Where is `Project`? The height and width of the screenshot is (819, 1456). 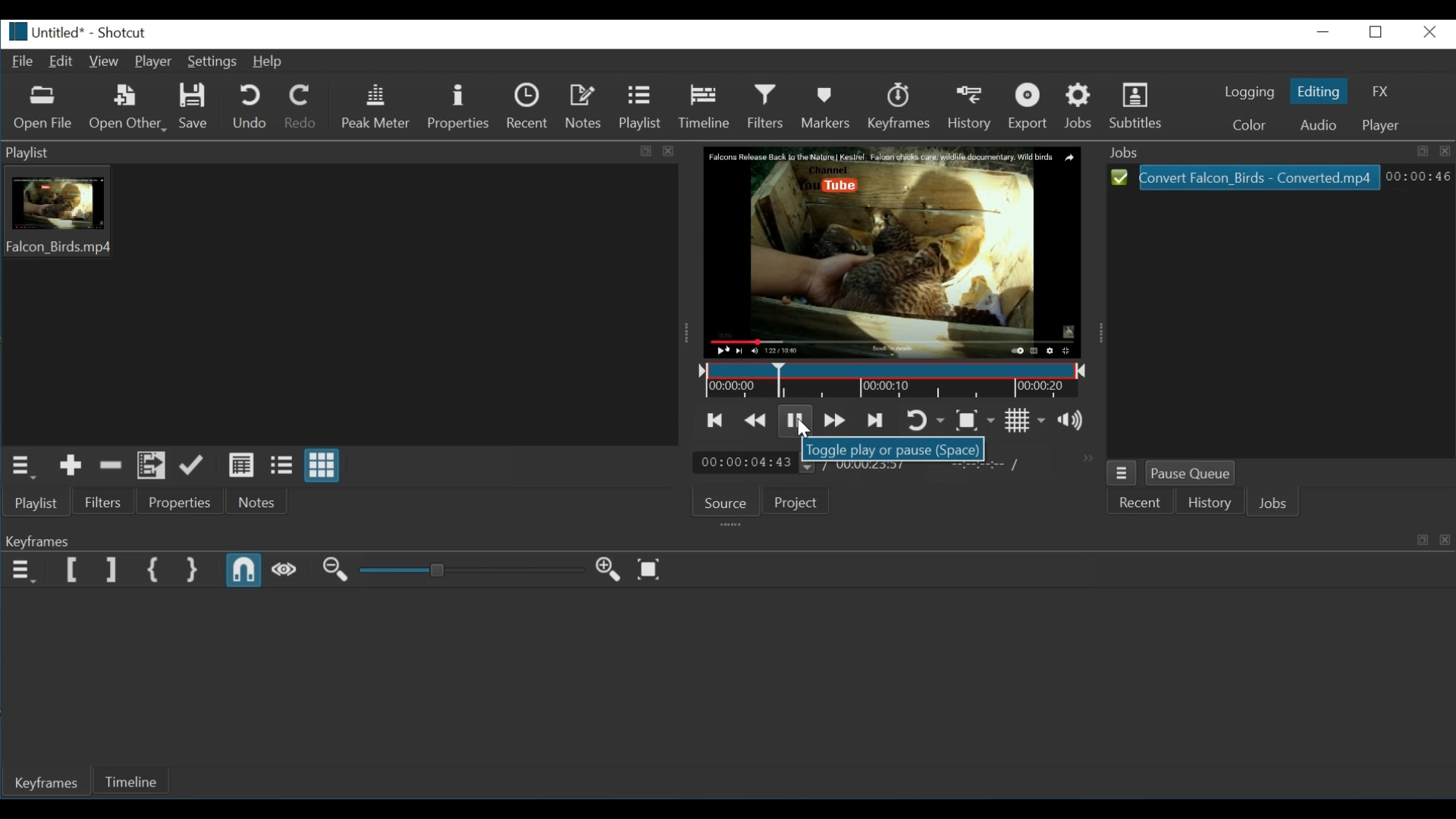 Project is located at coordinates (795, 502).